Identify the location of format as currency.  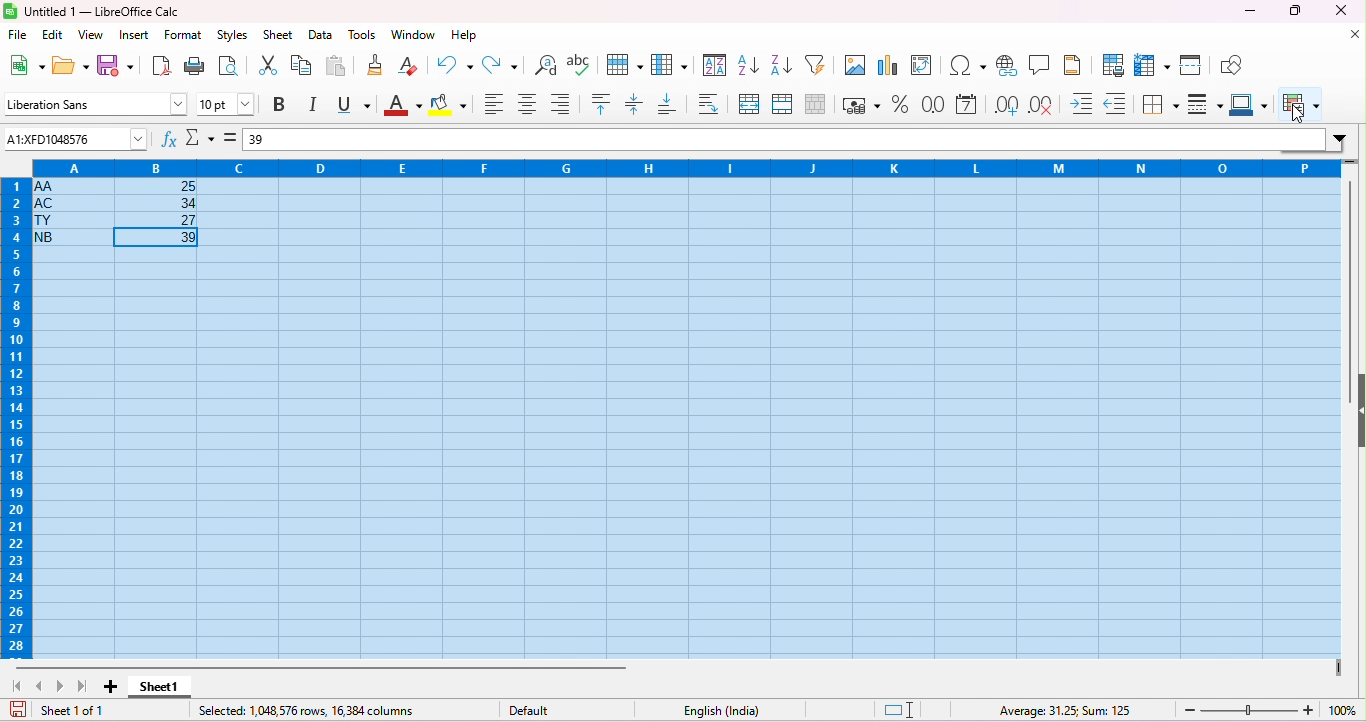
(861, 104).